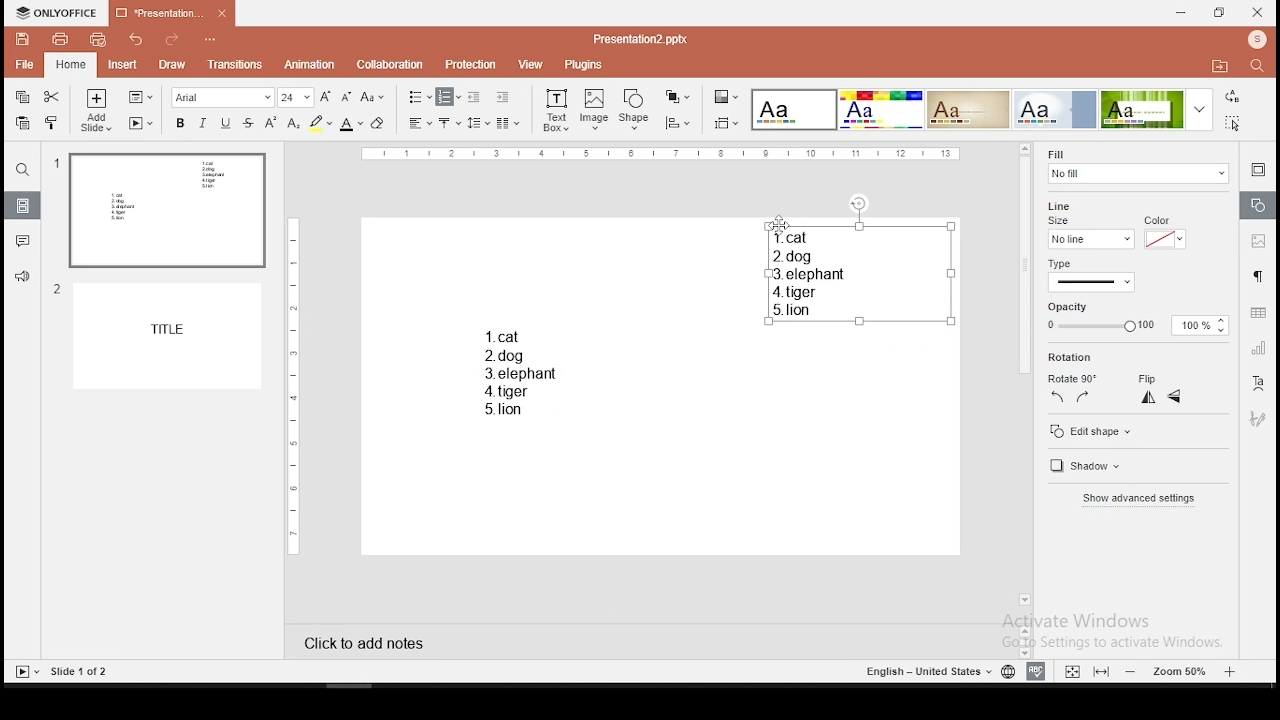  I want to click on decrease indent, so click(476, 96).